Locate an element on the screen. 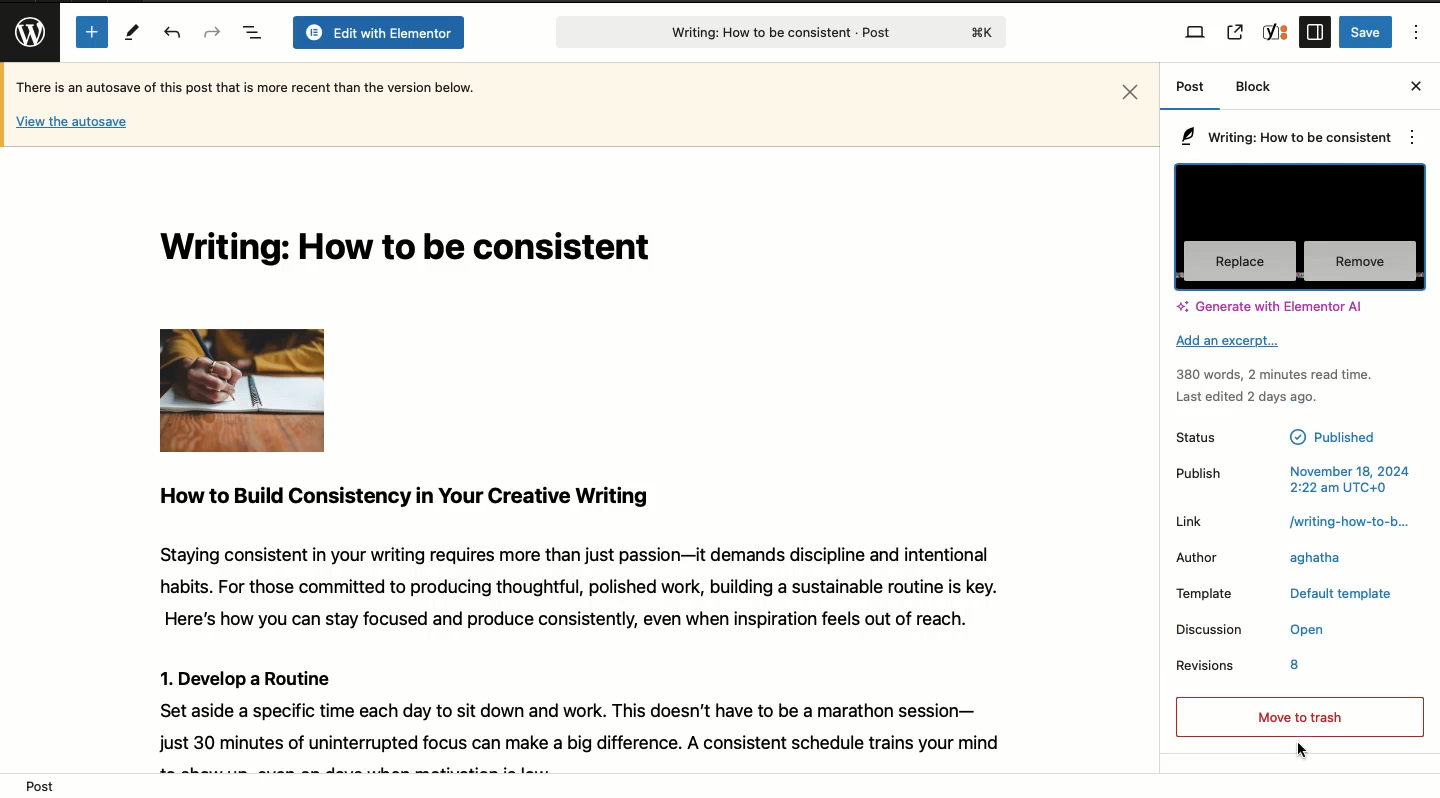 The image size is (1440, 798). Add an excerpt... is located at coordinates (1231, 341).